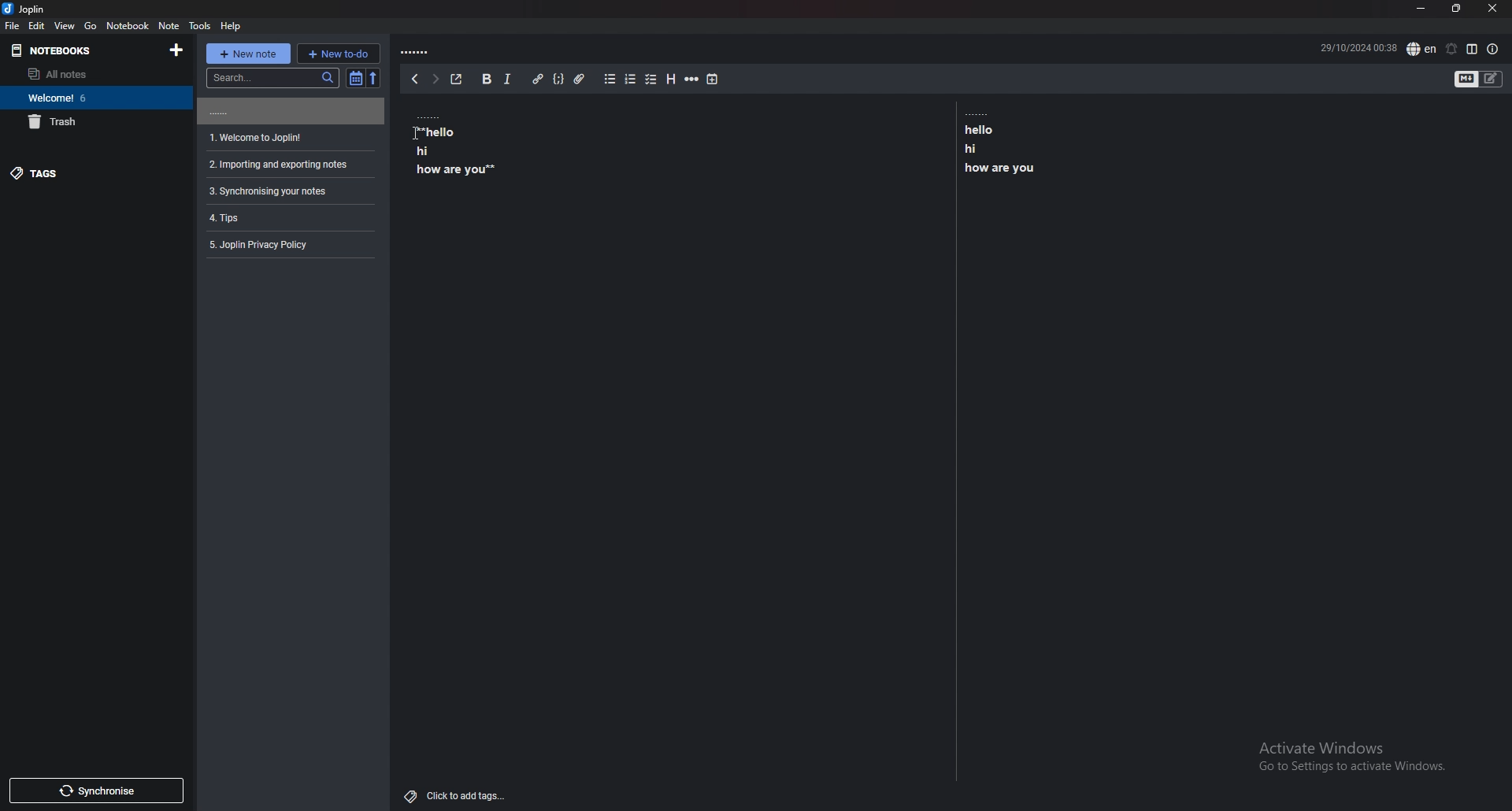  I want to click on note, so click(288, 165).